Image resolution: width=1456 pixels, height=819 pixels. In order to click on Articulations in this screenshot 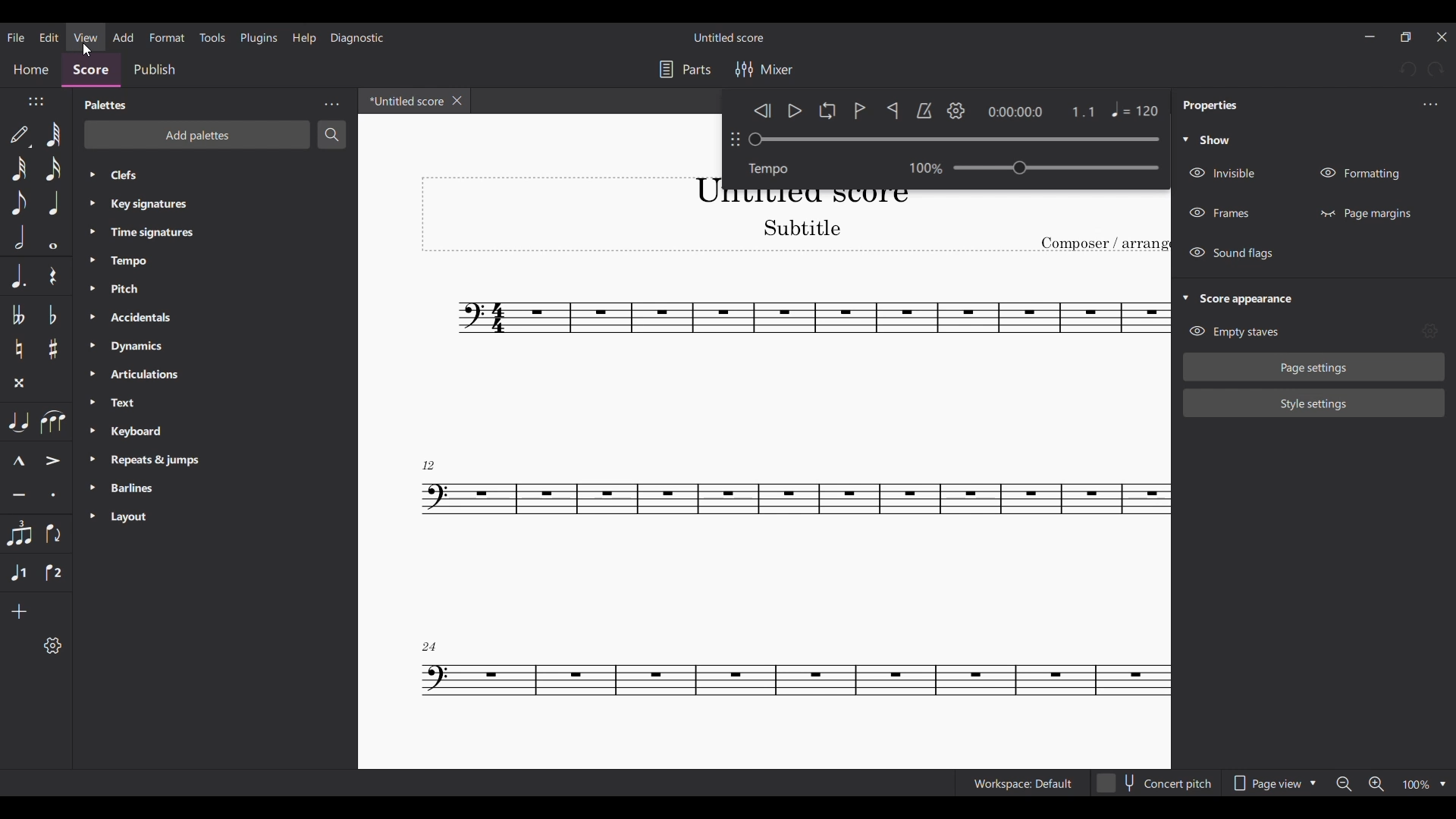, I will do `click(199, 375)`.